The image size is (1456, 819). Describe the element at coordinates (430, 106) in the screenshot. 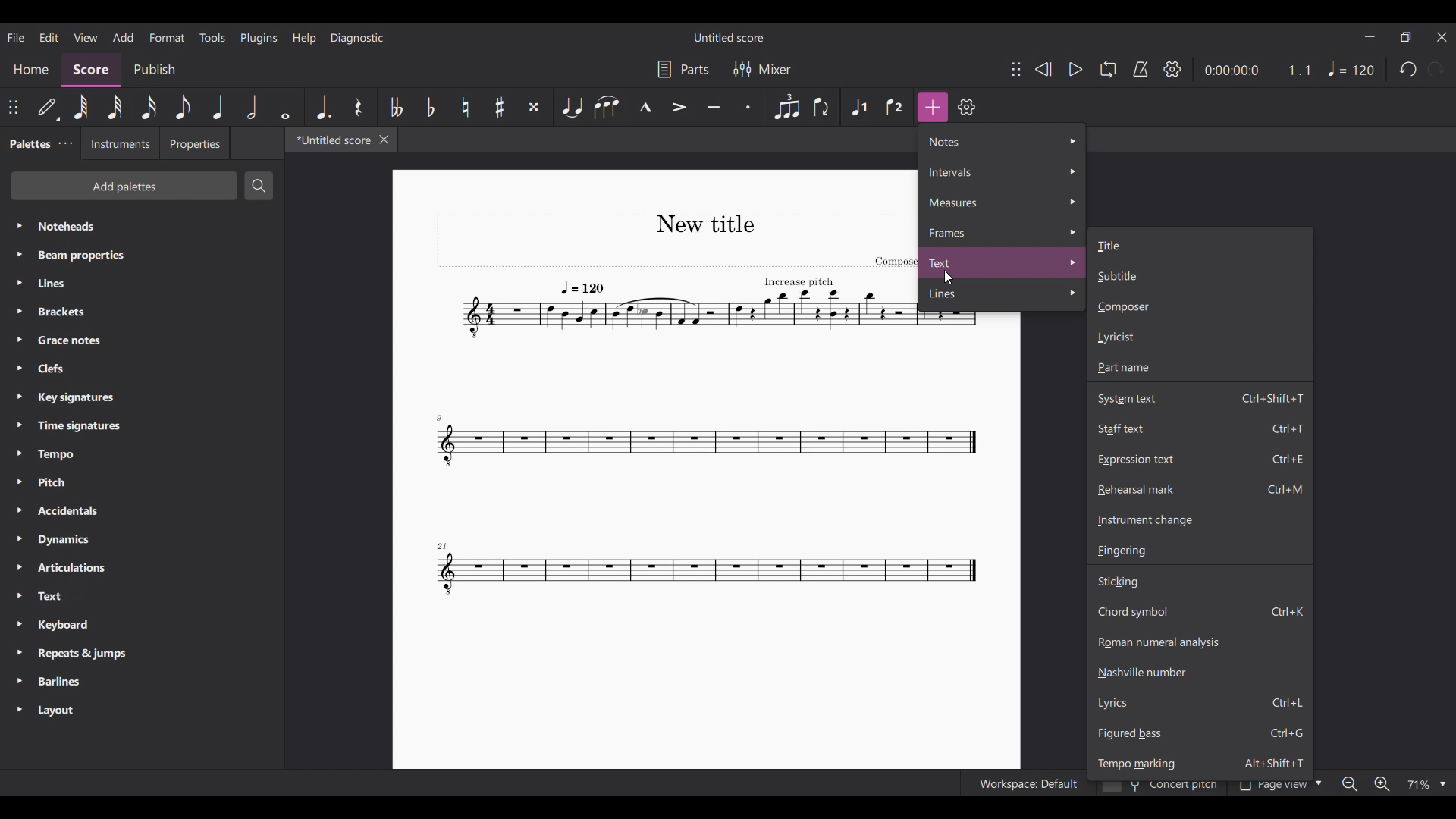

I see `Toggle flat` at that location.